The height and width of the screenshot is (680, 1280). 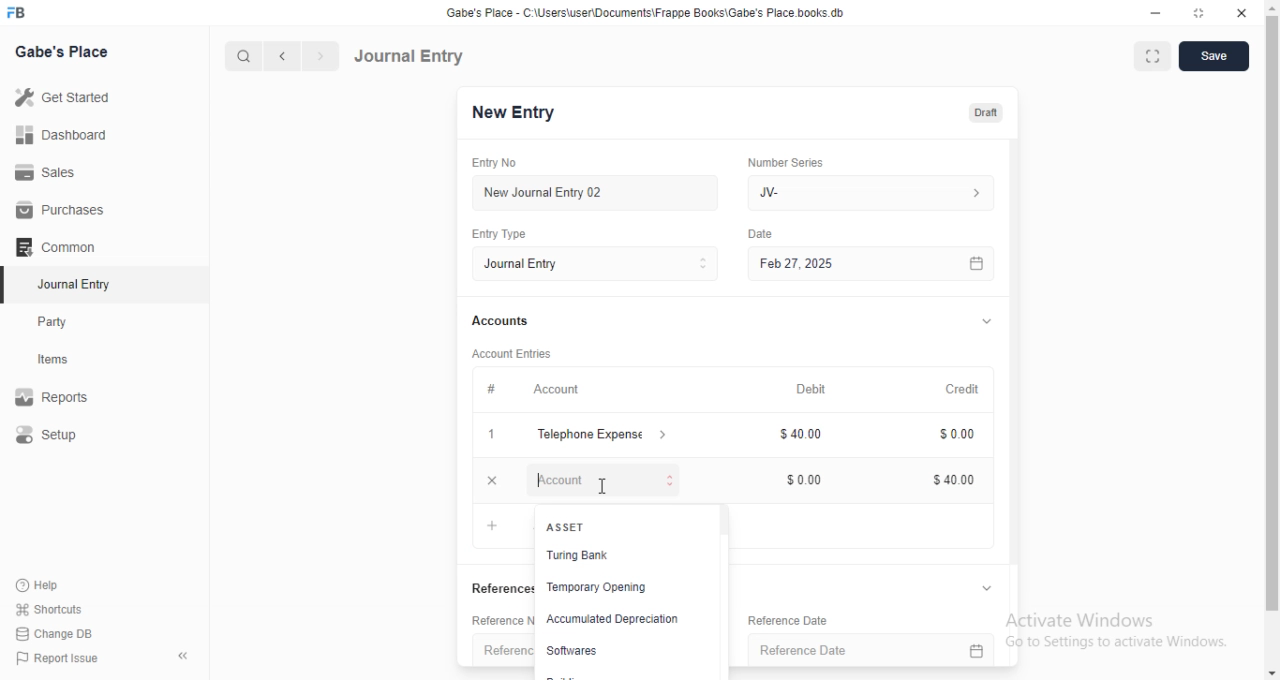 What do you see at coordinates (70, 284) in the screenshot?
I see `Journal Entry` at bounding box center [70, 284].